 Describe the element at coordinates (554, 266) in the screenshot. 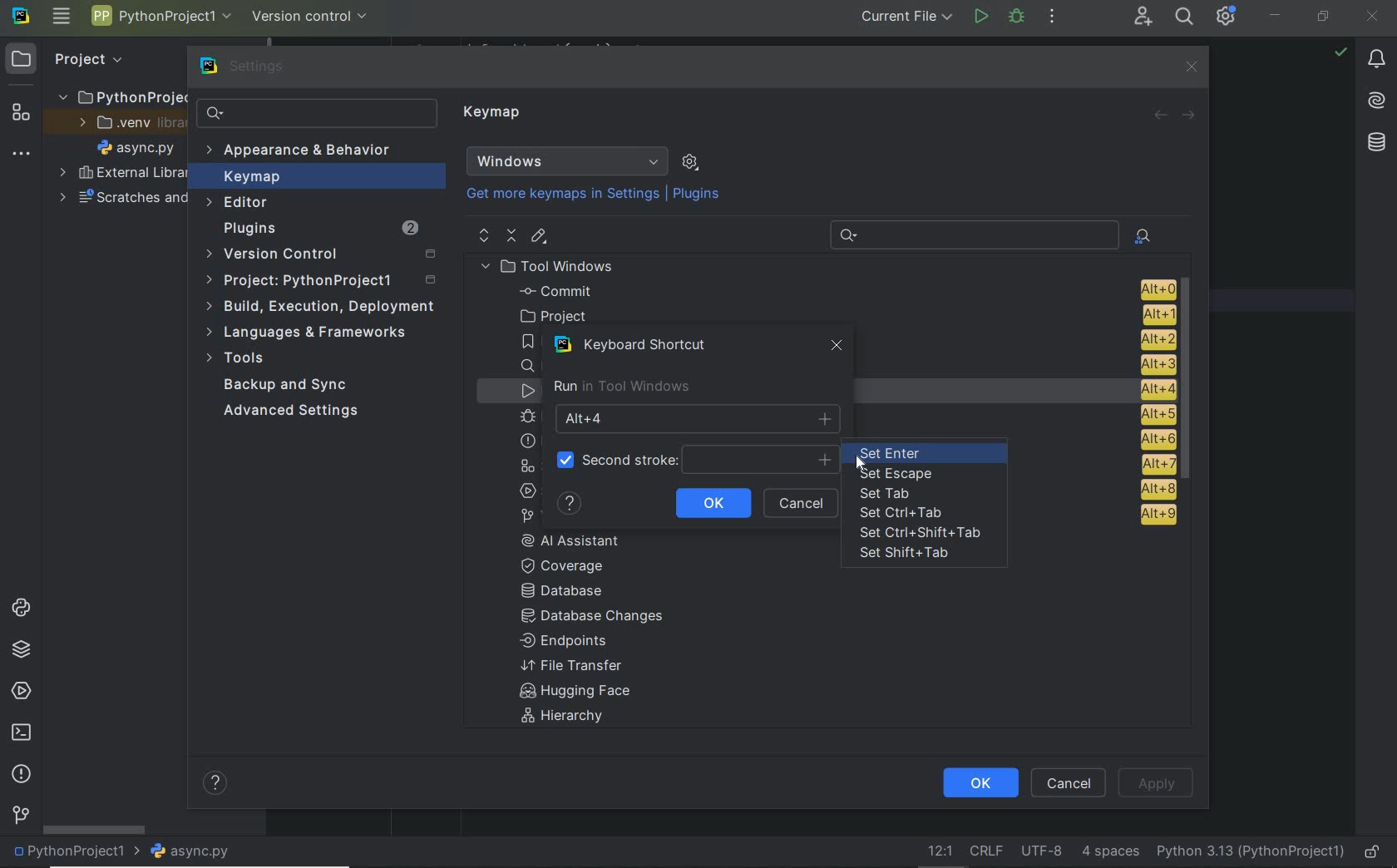

I see `Tool Windows` at that location.